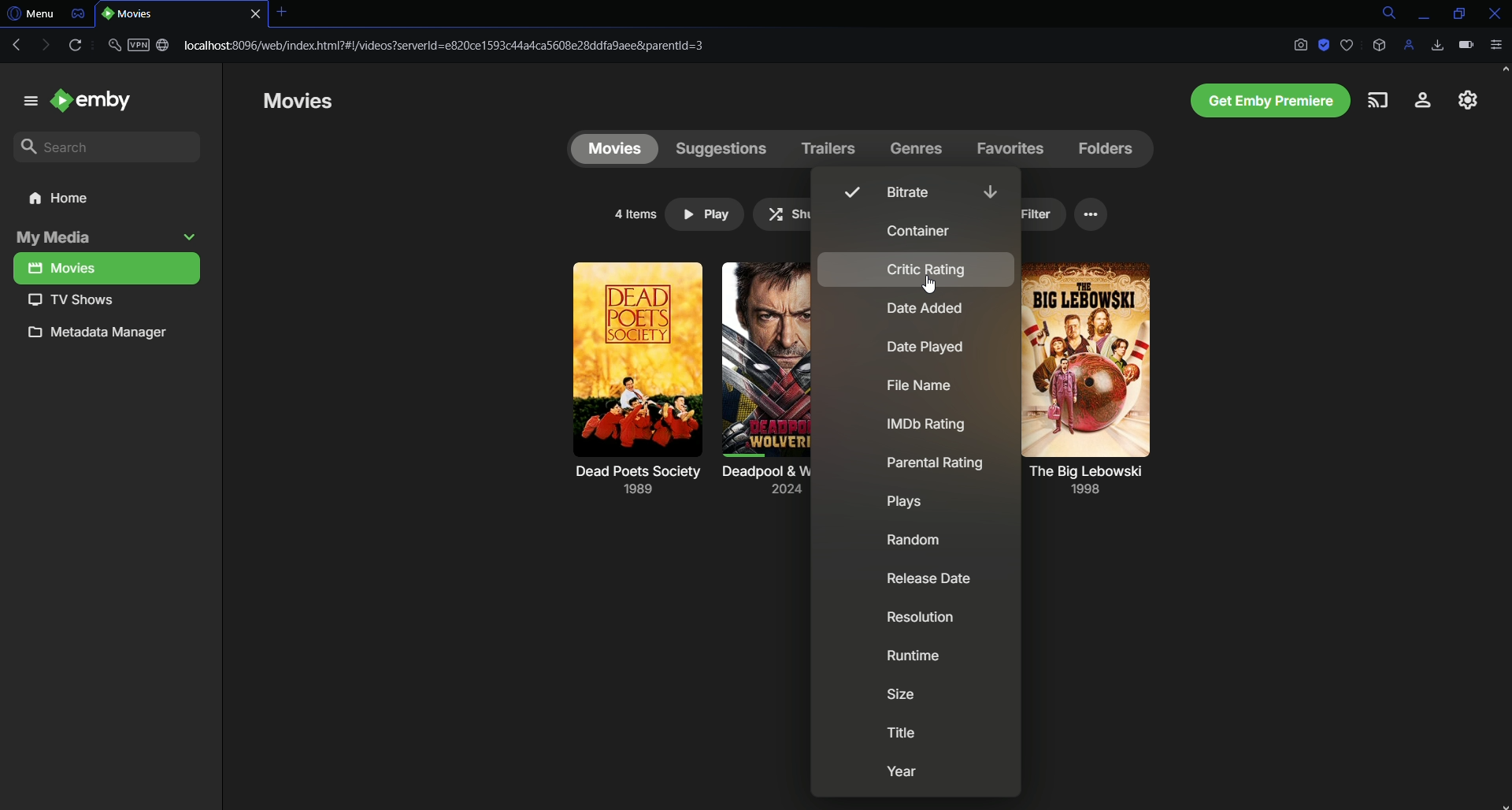 The height and width of the screenshot is (810, 1512). What do you see at coordinates (1377, 100) in the screenshot?
I see `Cast` at bounding box center [1377, 100].